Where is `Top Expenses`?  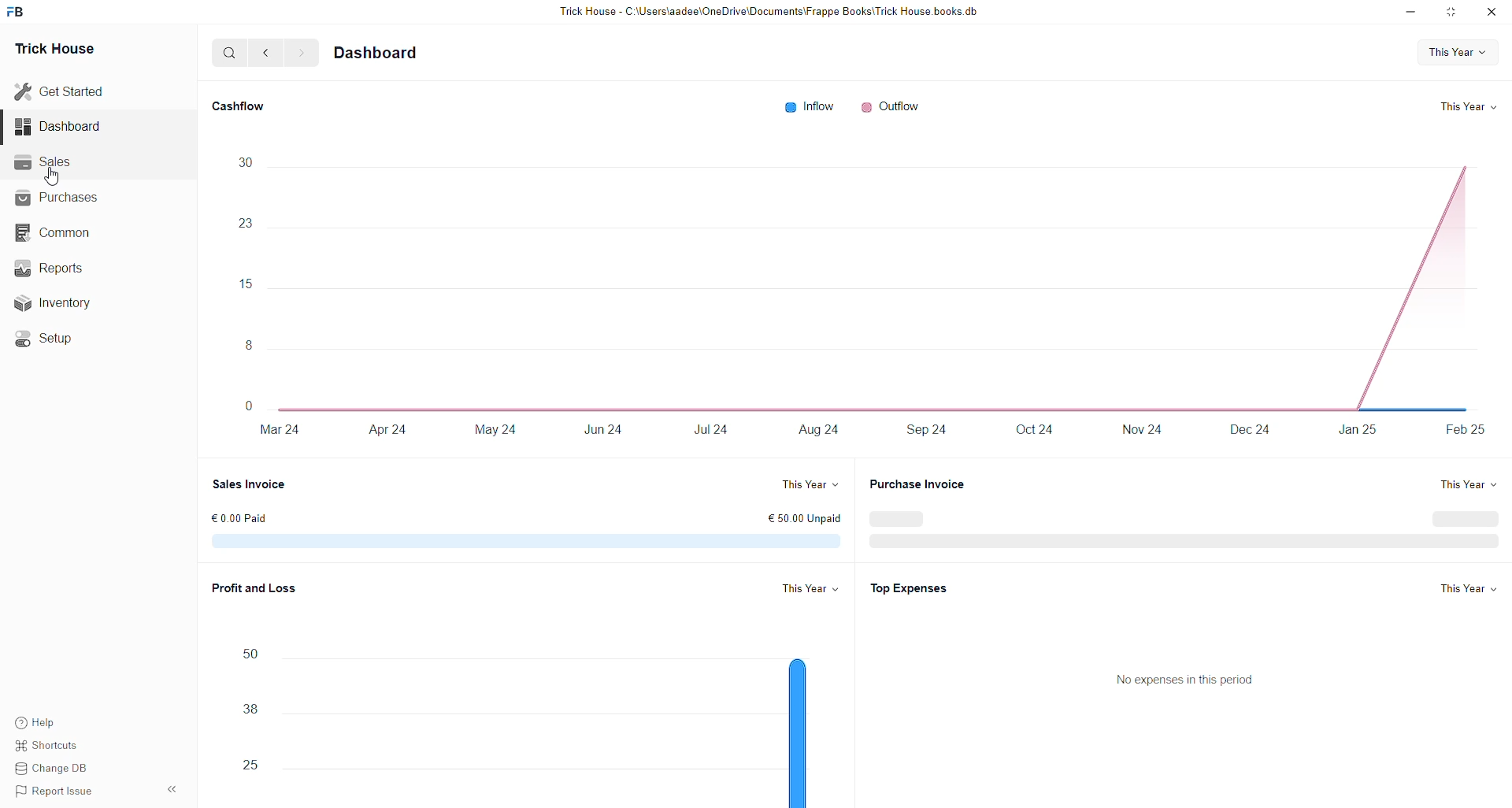
Top Expenses is located at coordinates (912, 591).